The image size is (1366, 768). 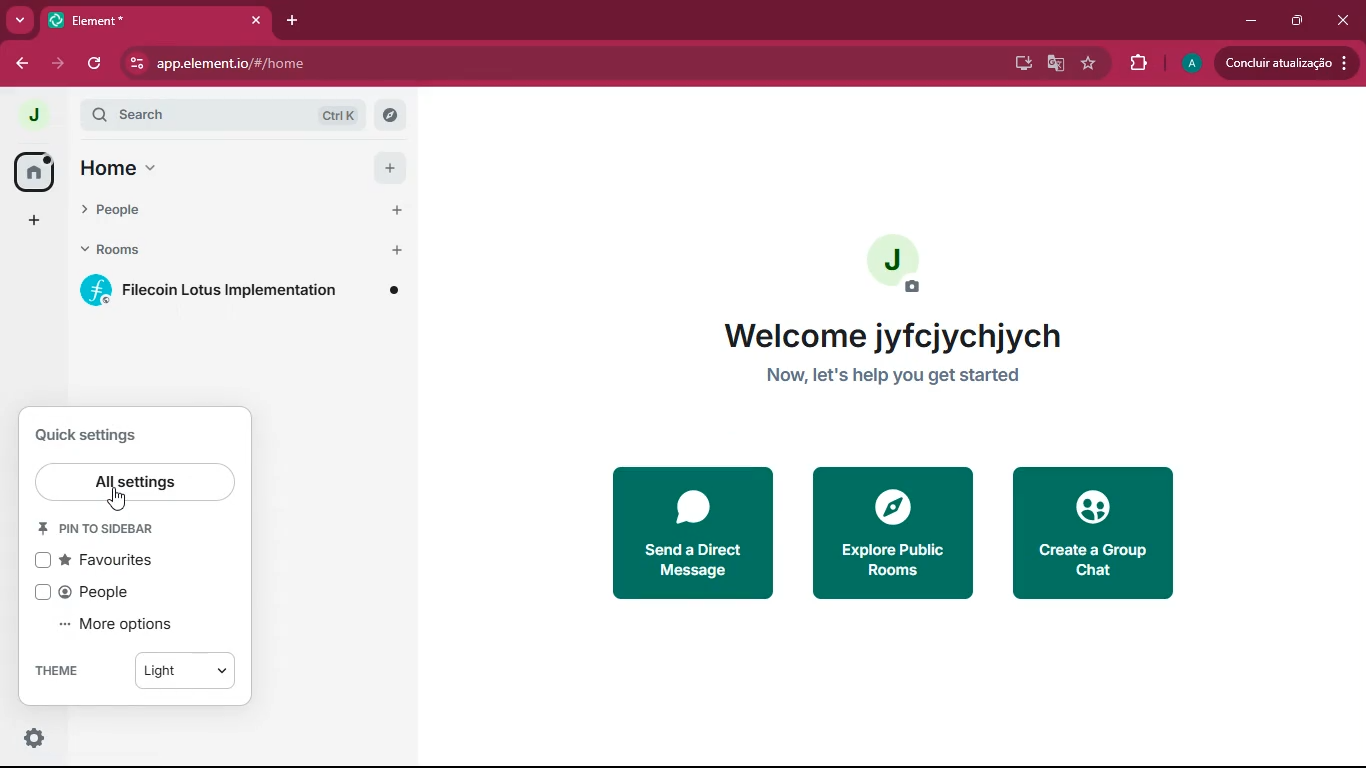 What do you see at coordinates (688, 533) in the screenshot?
I see `send a direct message` at bounding box center [688, 533].